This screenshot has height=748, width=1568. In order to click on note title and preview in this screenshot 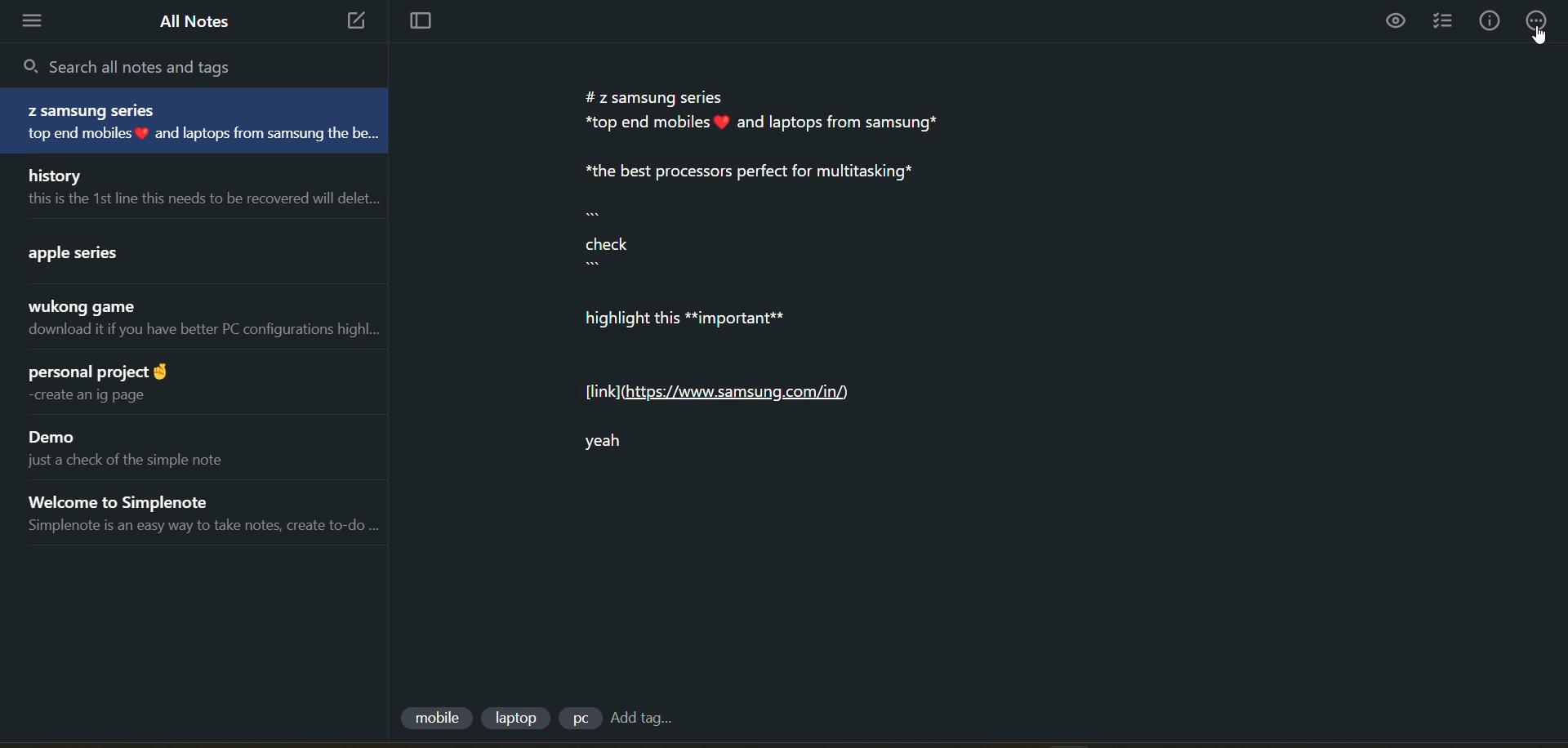, I will do `click(196, 382)`.